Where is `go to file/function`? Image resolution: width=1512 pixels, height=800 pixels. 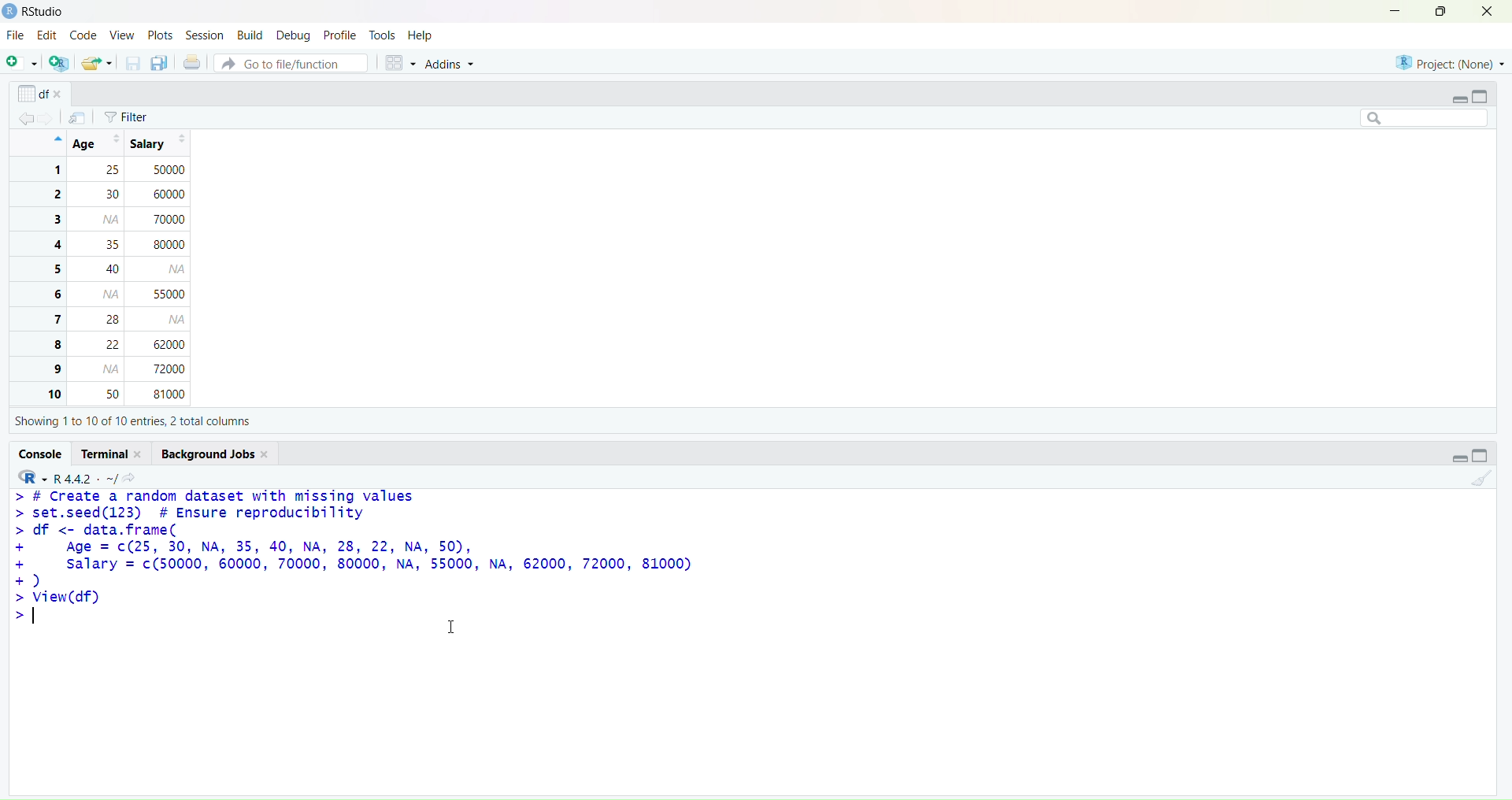
go to file/function is located at coordinates (290, 64).